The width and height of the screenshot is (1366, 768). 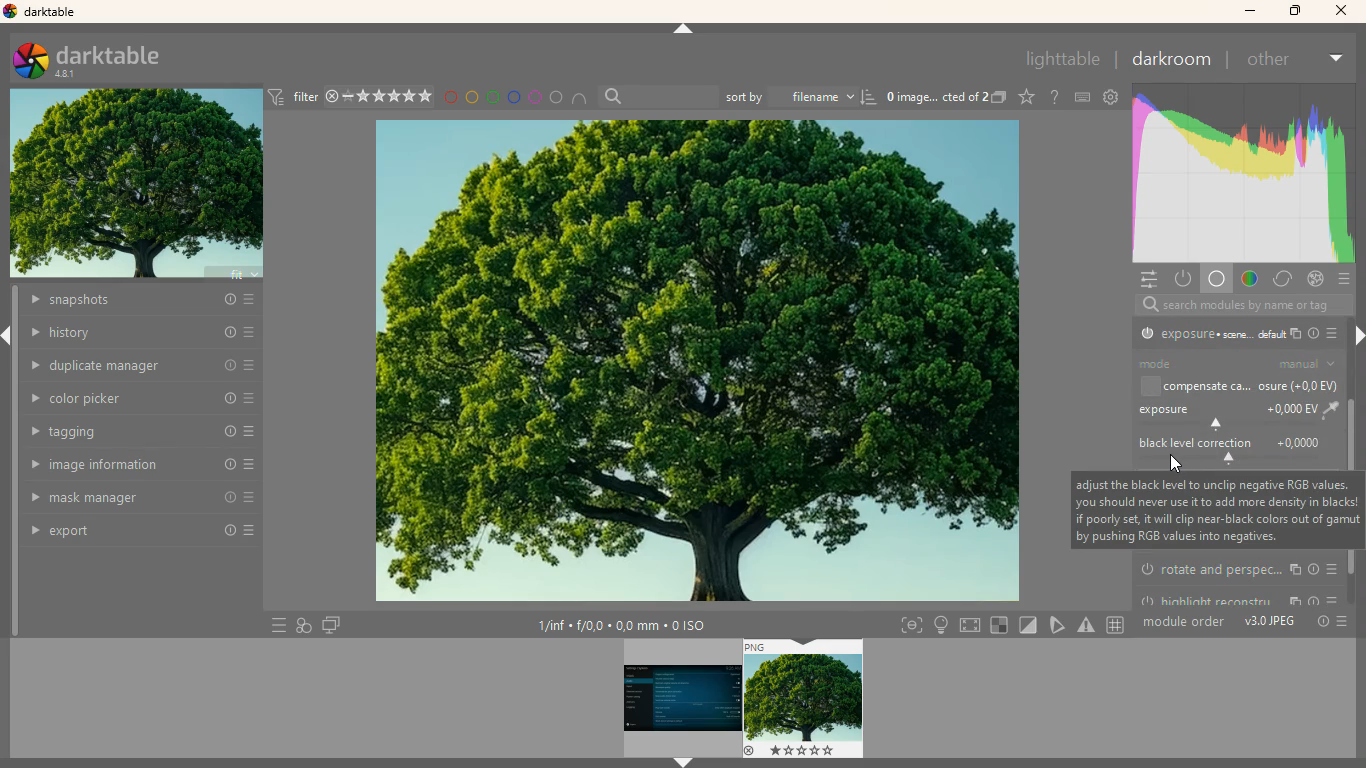 What do you see at coordinates (578, 98) in the screenshot?
I see `semi circle` at bounding box center [578, 98].